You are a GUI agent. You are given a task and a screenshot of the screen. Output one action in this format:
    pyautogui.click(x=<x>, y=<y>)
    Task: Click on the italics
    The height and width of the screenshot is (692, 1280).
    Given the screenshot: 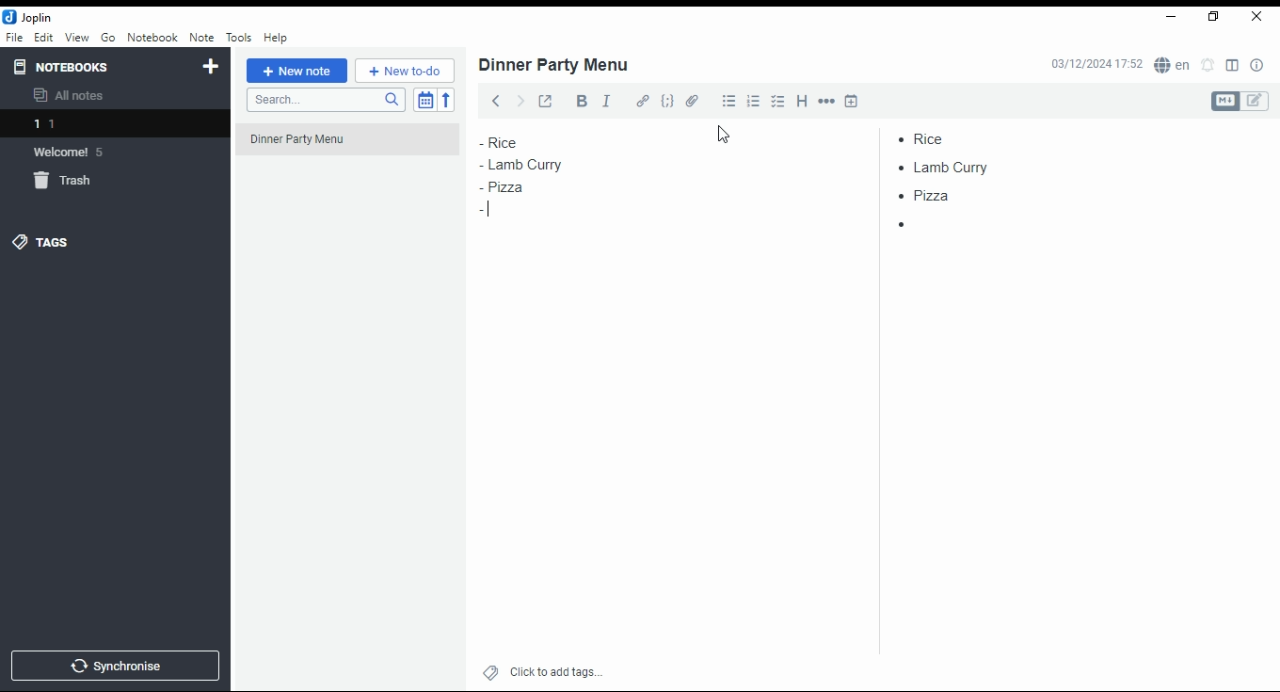 What is the action you would take?
    pyautogui.click(x=607, y=100)
    